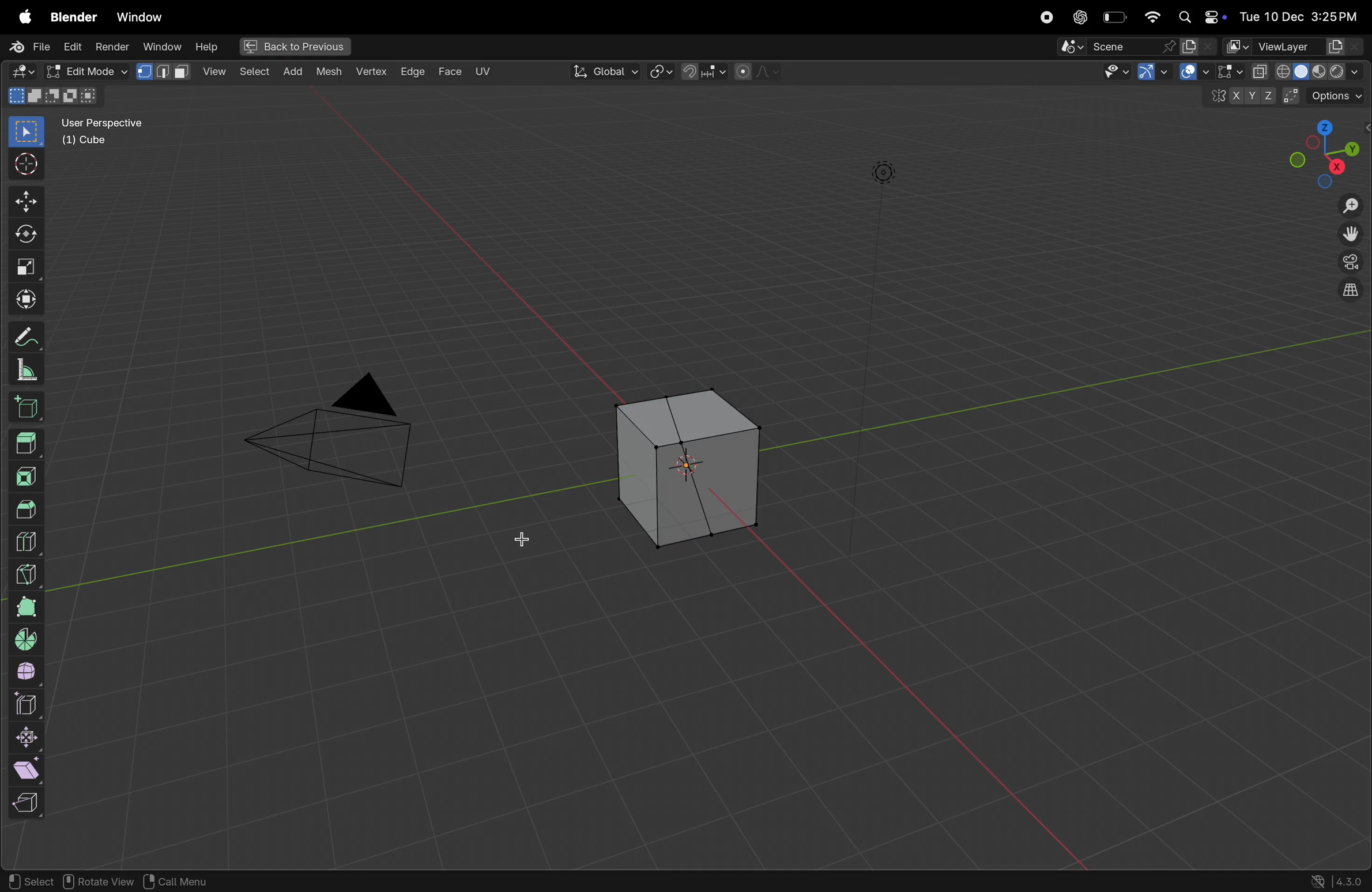  I want to click on loop cut, so click(32, 540).